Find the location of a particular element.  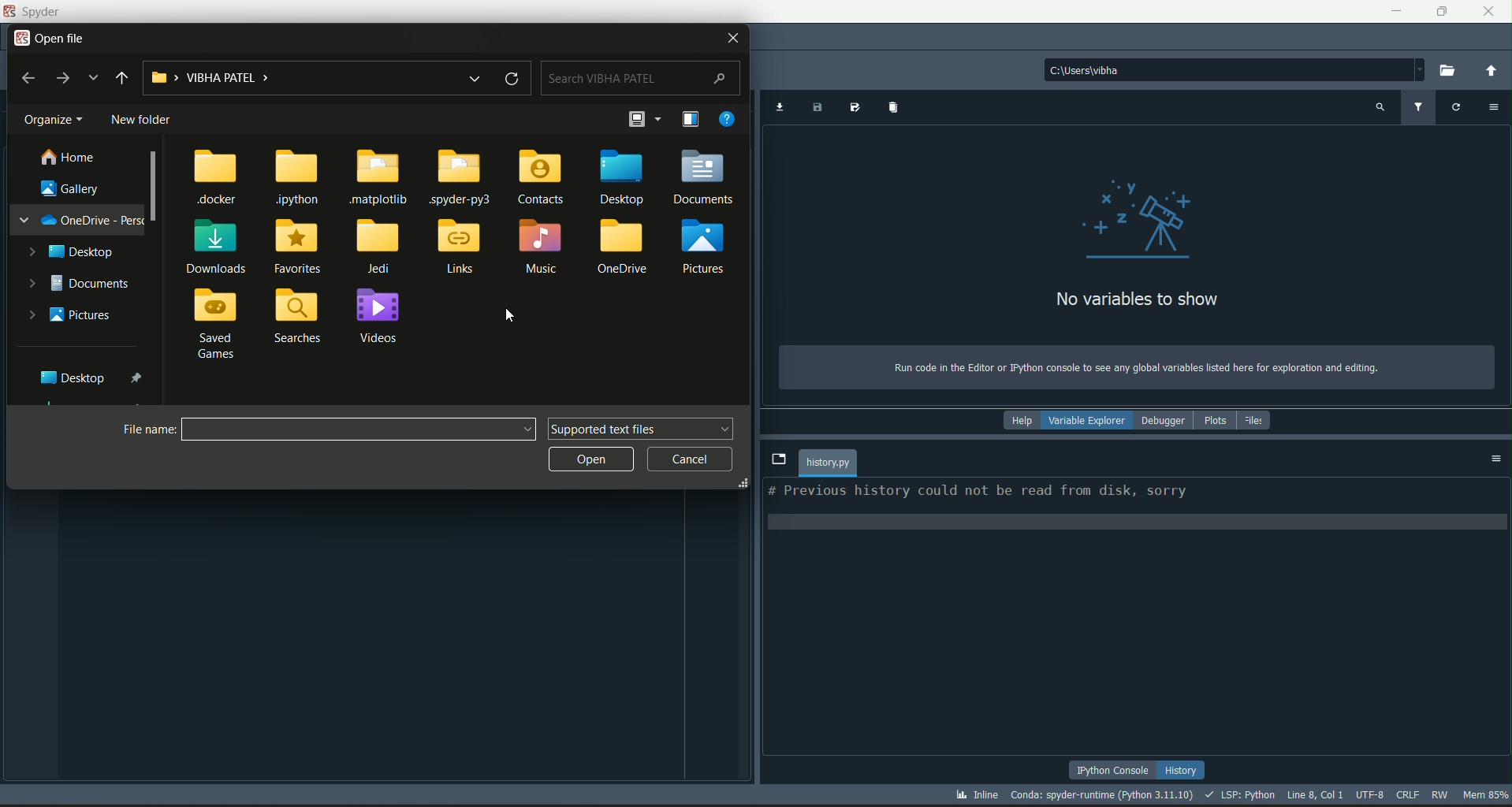

.spyder-py3 is located at coordinates (463, 177).